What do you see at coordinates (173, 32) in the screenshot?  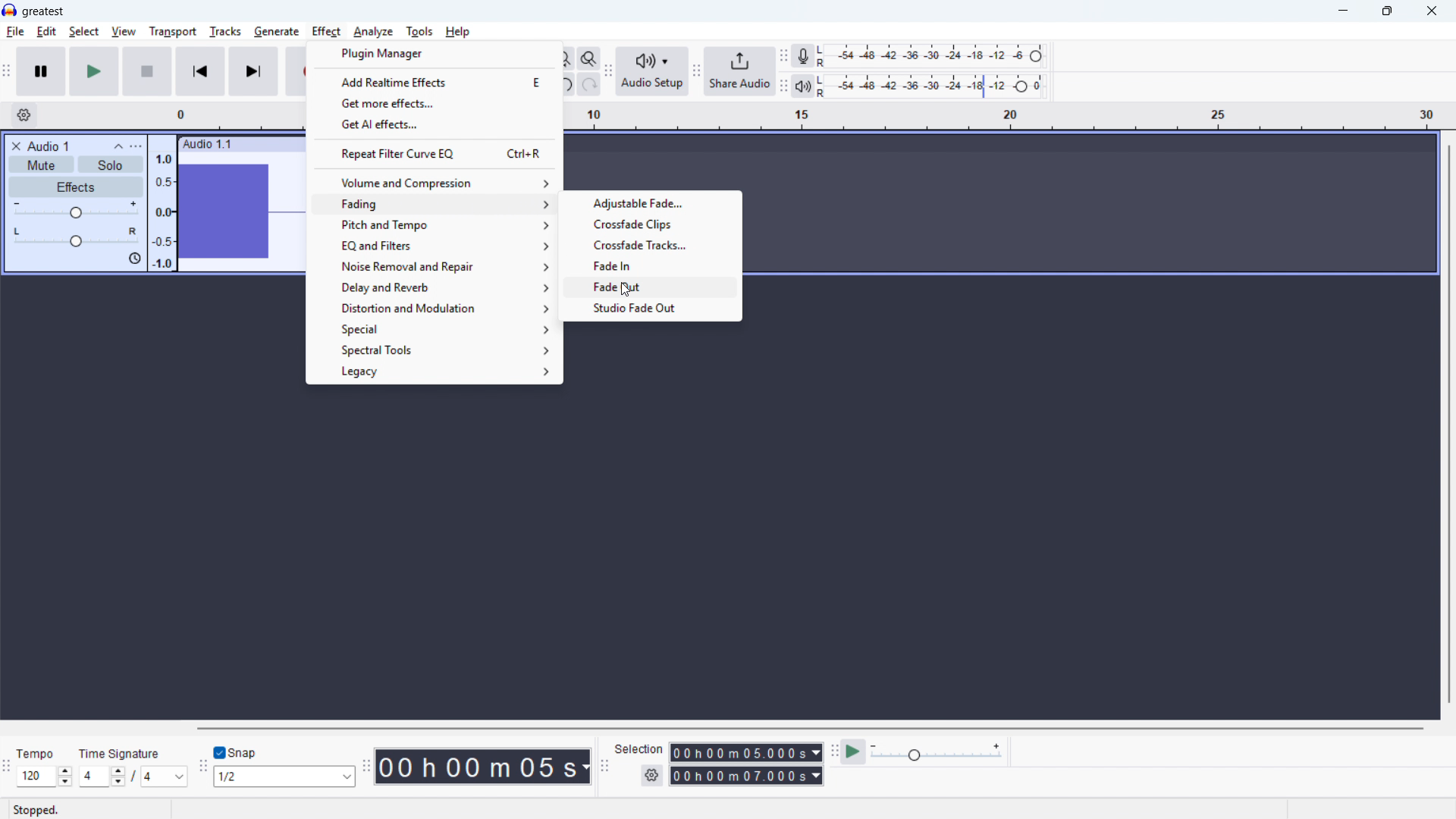 I see `transport` at bounding box center [173, 32].